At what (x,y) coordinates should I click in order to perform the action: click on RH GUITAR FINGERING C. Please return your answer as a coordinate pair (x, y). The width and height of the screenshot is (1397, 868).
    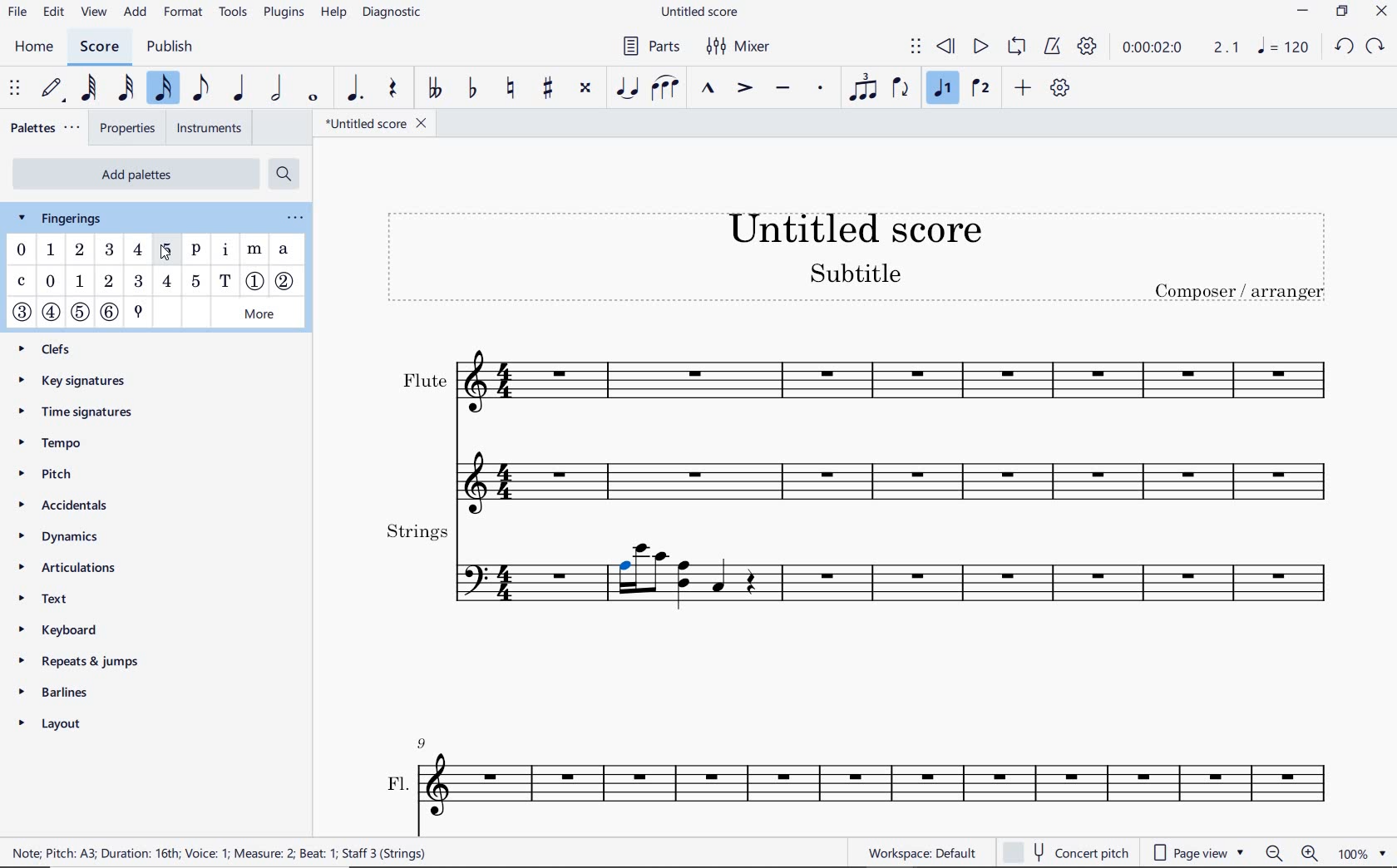
    Looking at the image, I should click on (21, 283).